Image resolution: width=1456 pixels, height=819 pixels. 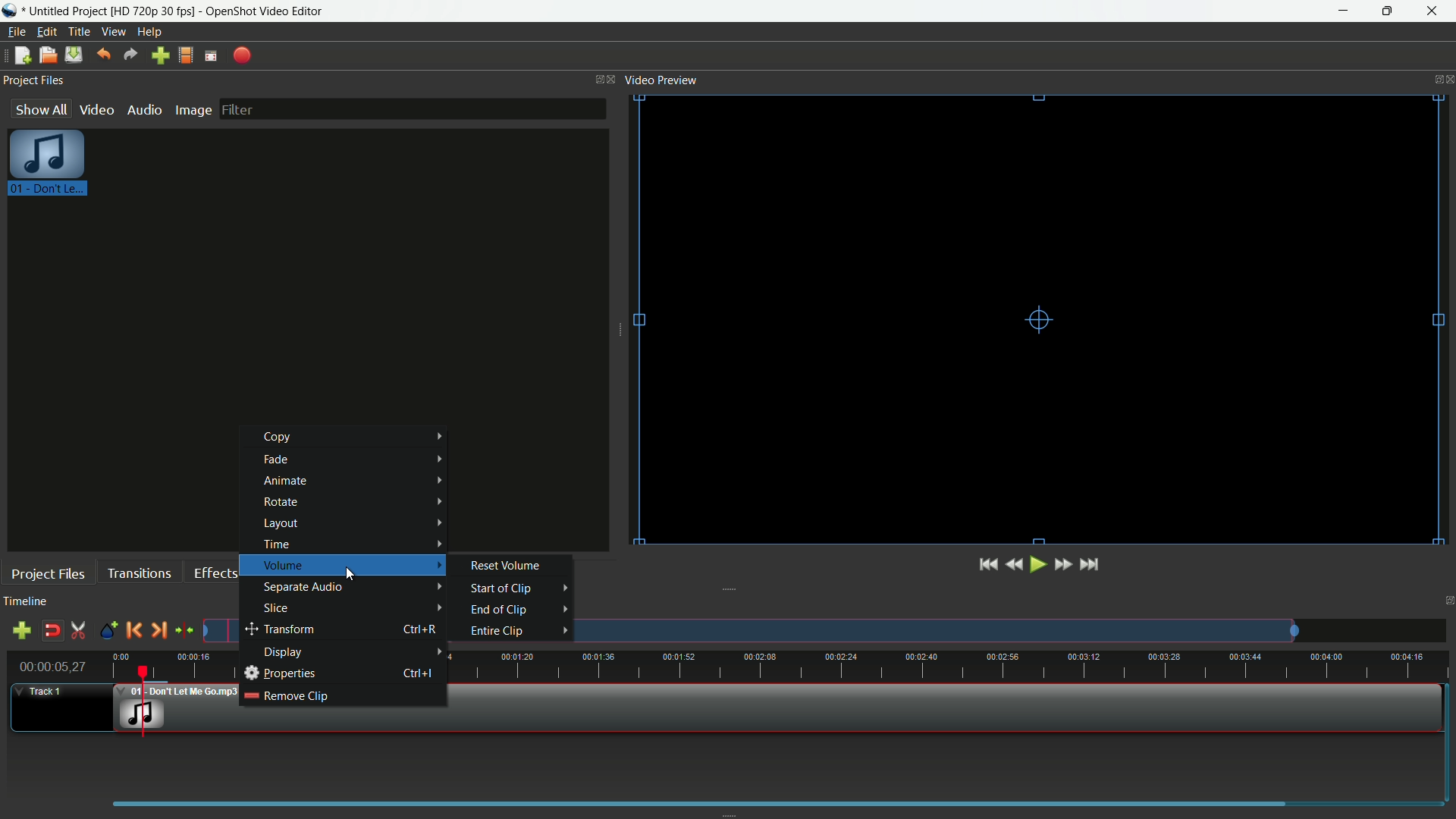 What do you see at coordinates (140, 573) in the screenshot?
I see `transitions` at bounding box center [140, 573].